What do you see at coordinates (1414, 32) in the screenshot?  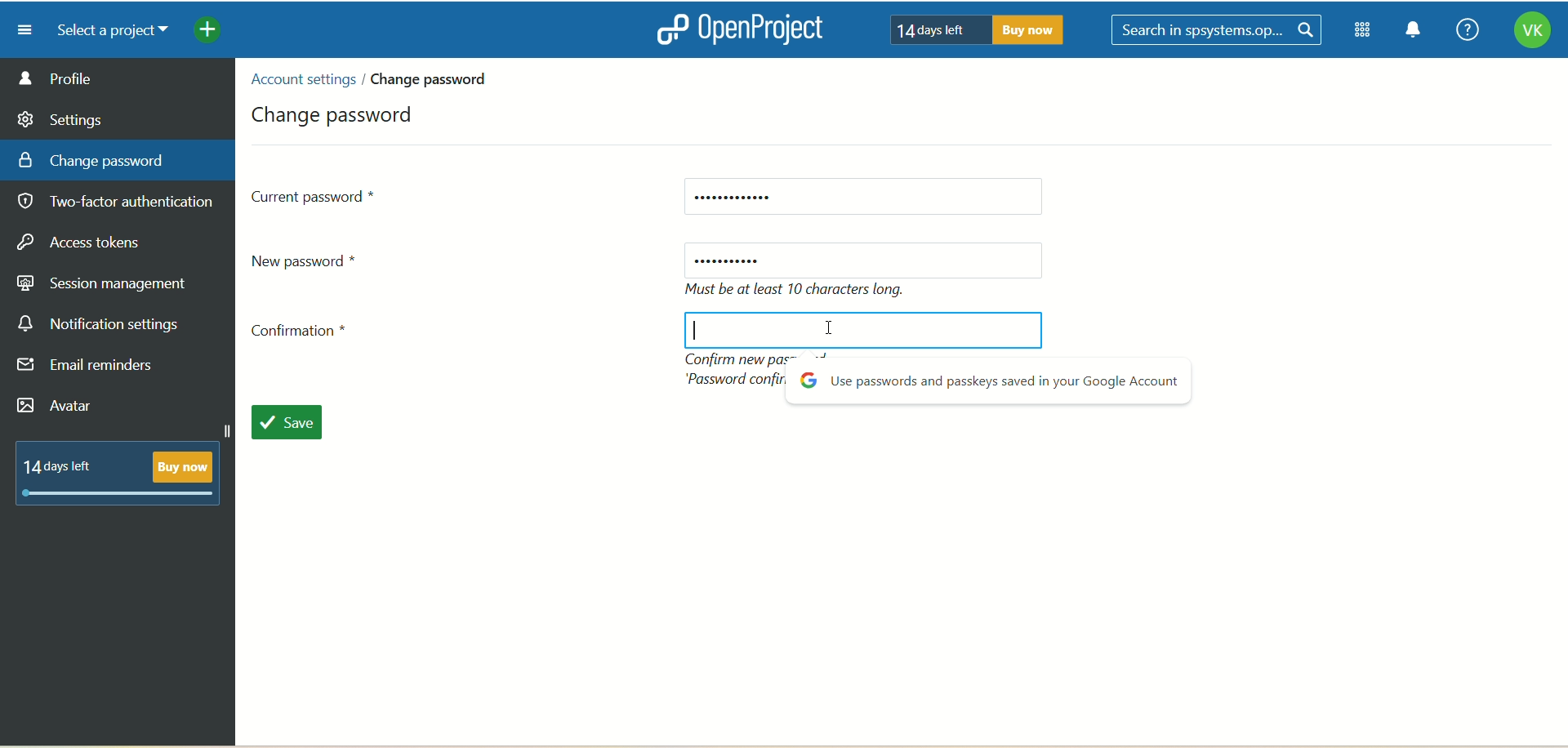 I see `notification` at bounding box center [1414, 32].